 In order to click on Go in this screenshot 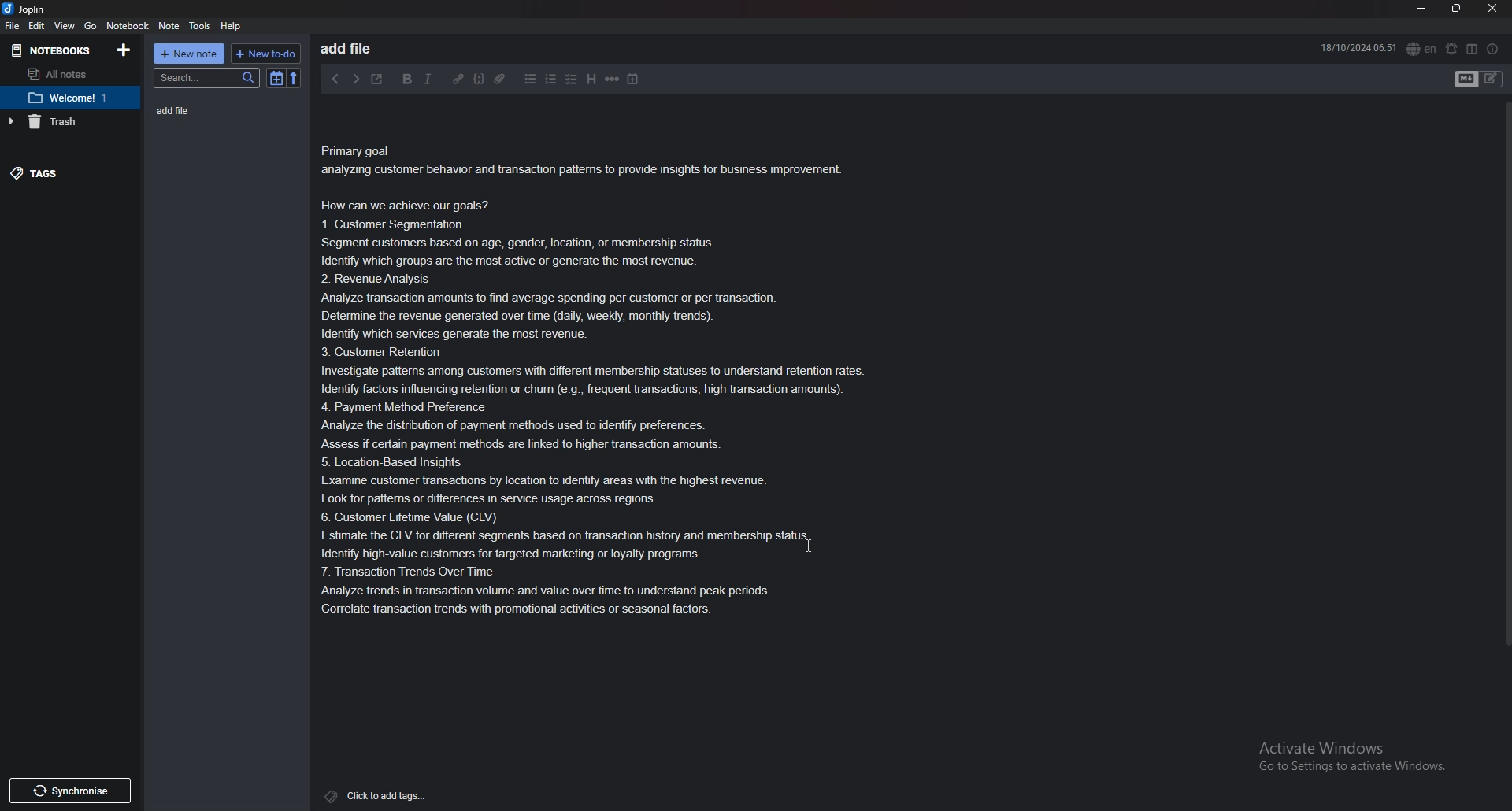, I will do `click(90, 27)`.